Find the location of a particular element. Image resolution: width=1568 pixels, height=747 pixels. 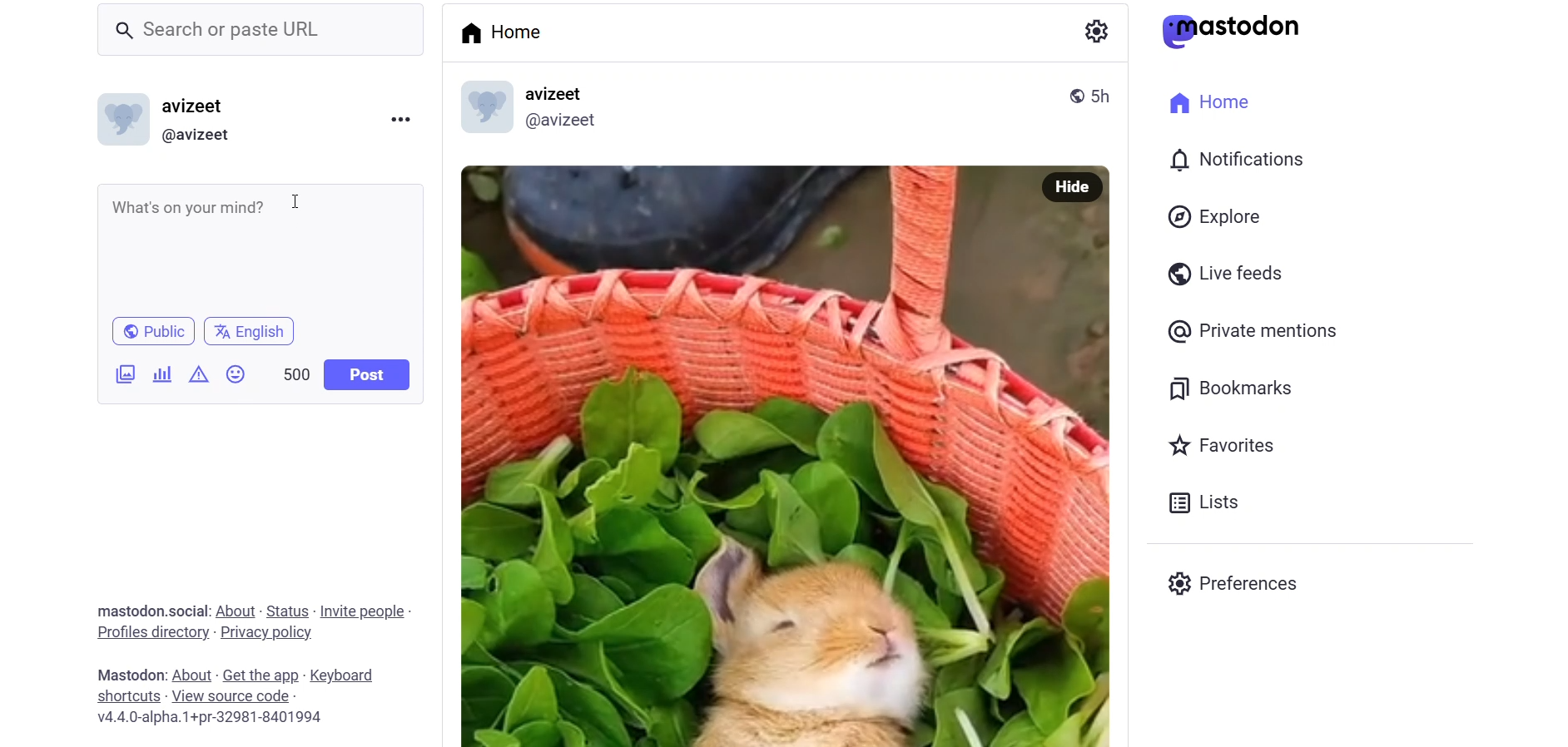

nme is located at coordinates (200, 106).